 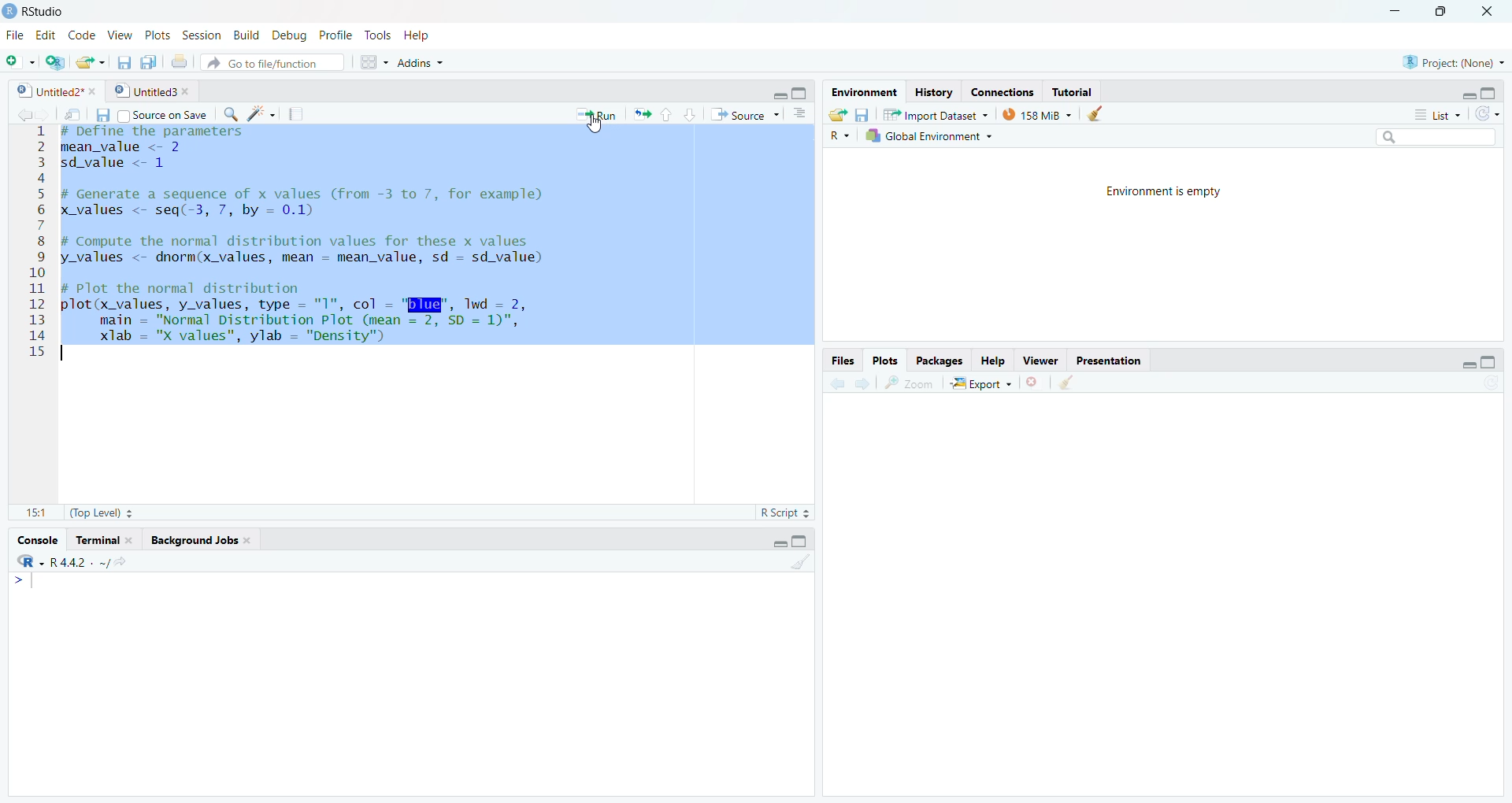 What do you see at coordinates (46, 32) in the screenshot?
I see `Edit` at bounding box center [46, 32].